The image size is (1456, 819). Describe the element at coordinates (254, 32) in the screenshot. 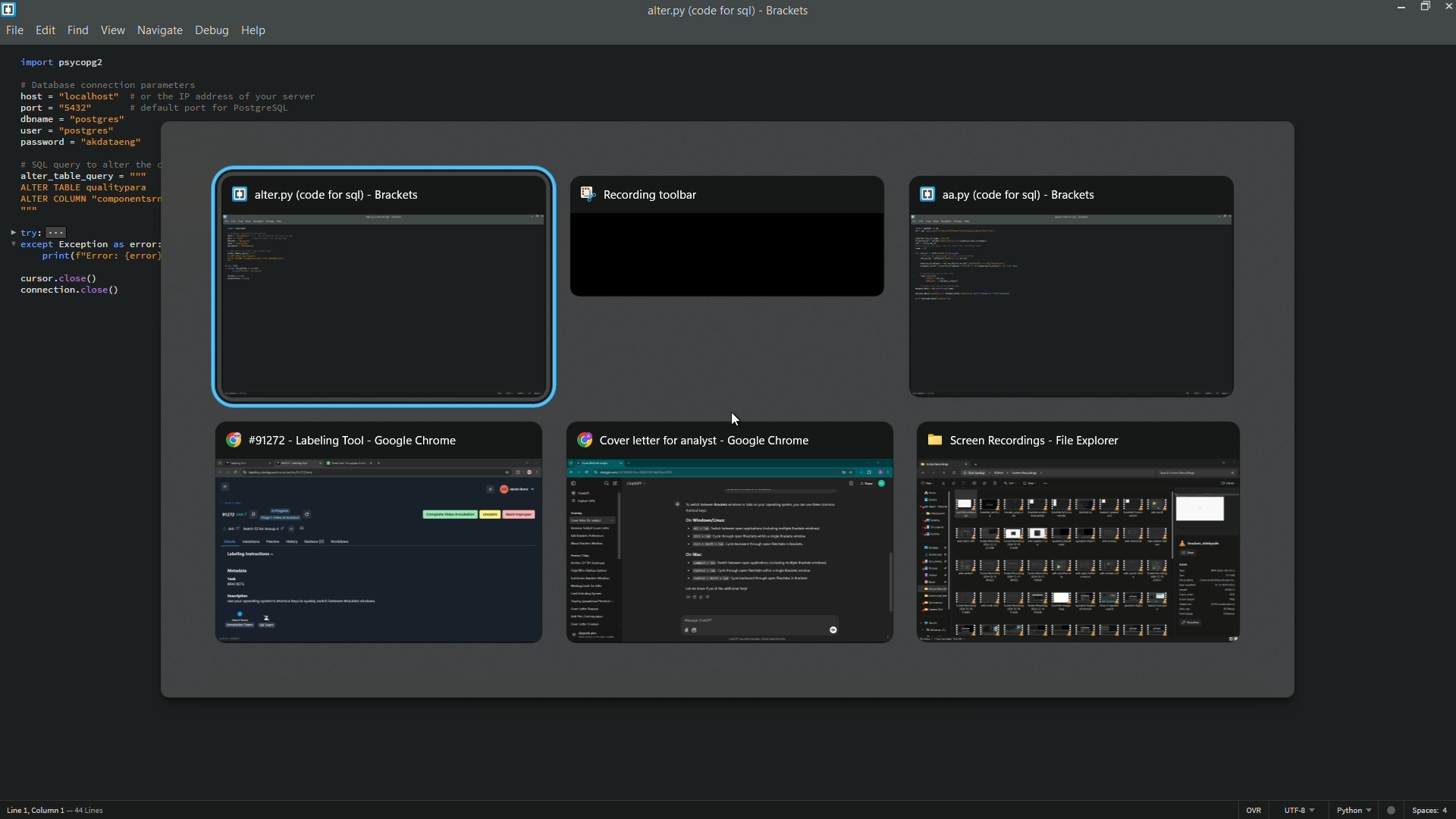

I see `help menu` at that location.